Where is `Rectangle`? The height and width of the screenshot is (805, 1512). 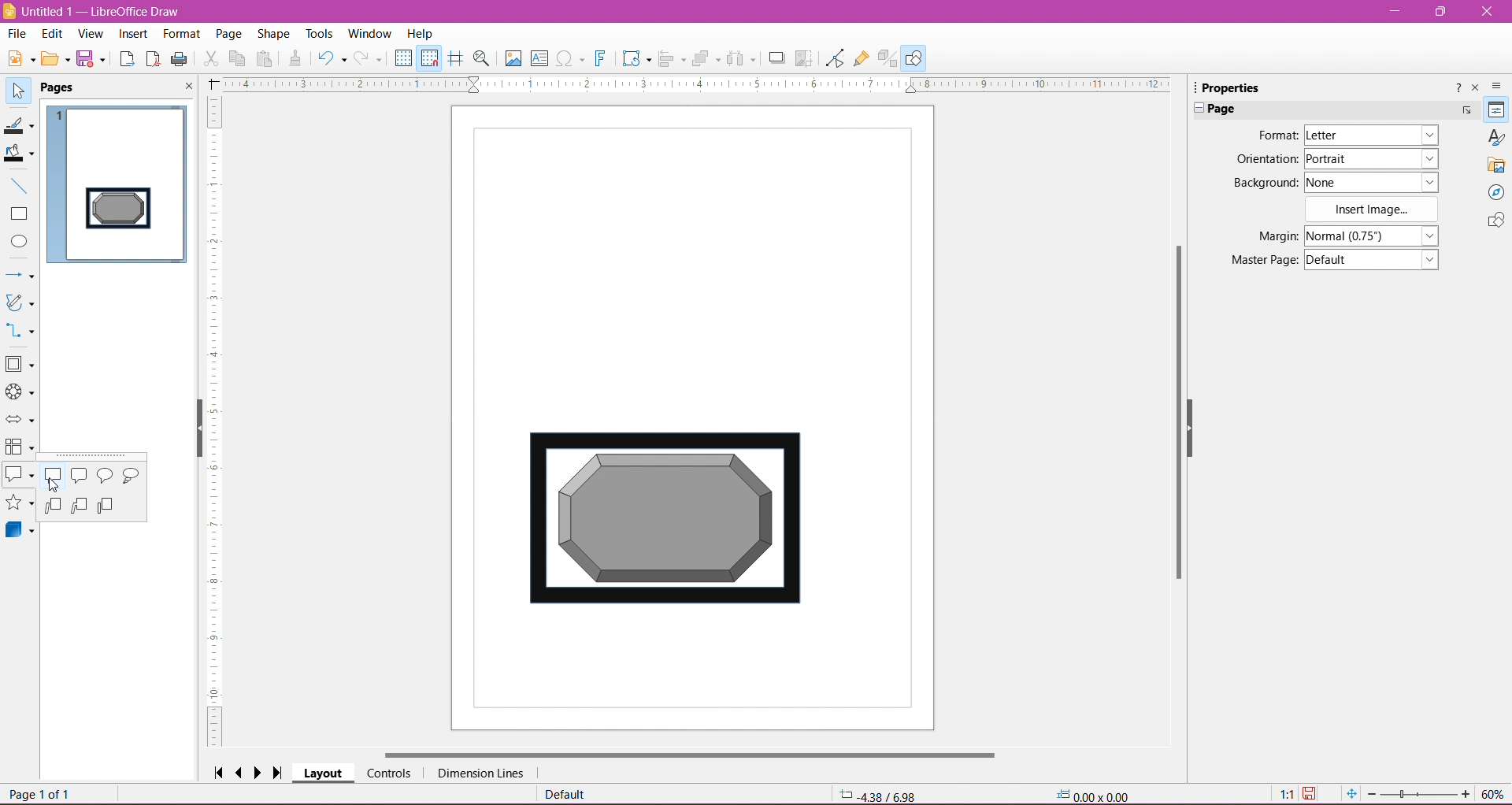 Rectangle is located at coordinates (20, 214).